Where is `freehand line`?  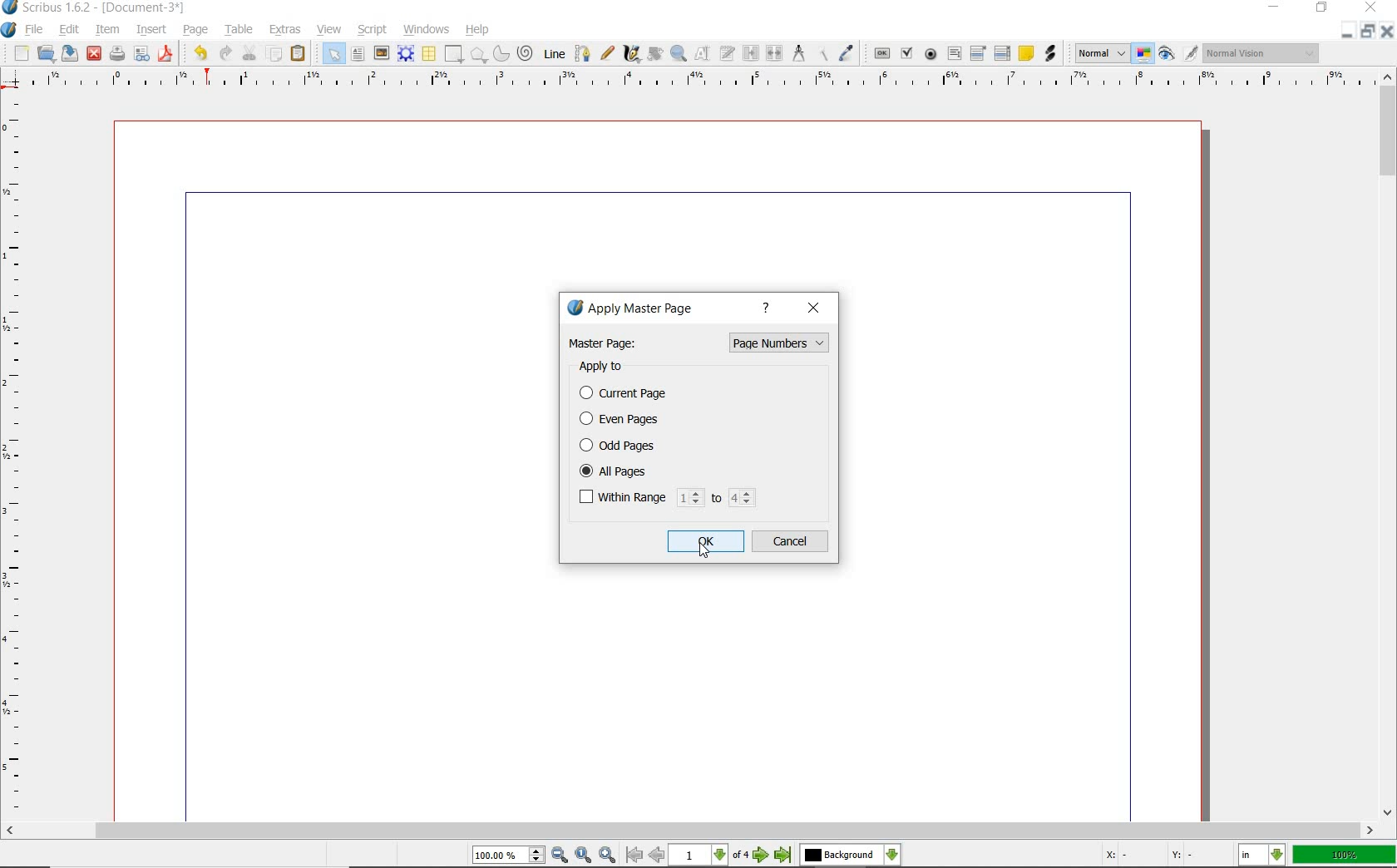 freehand line is located at coordinates (607, 53).